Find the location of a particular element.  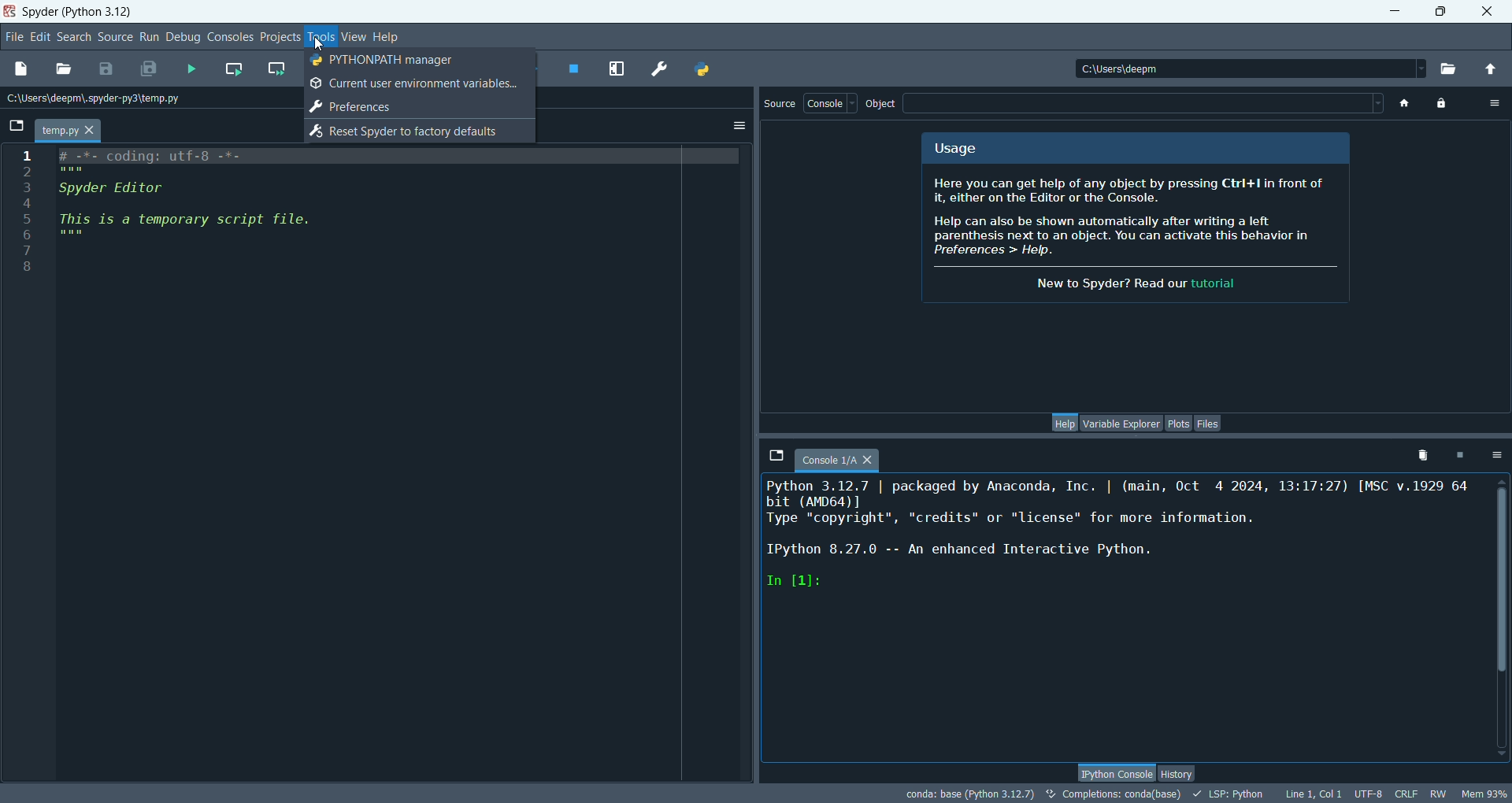

minimize is located at coordinates (1394, 9).